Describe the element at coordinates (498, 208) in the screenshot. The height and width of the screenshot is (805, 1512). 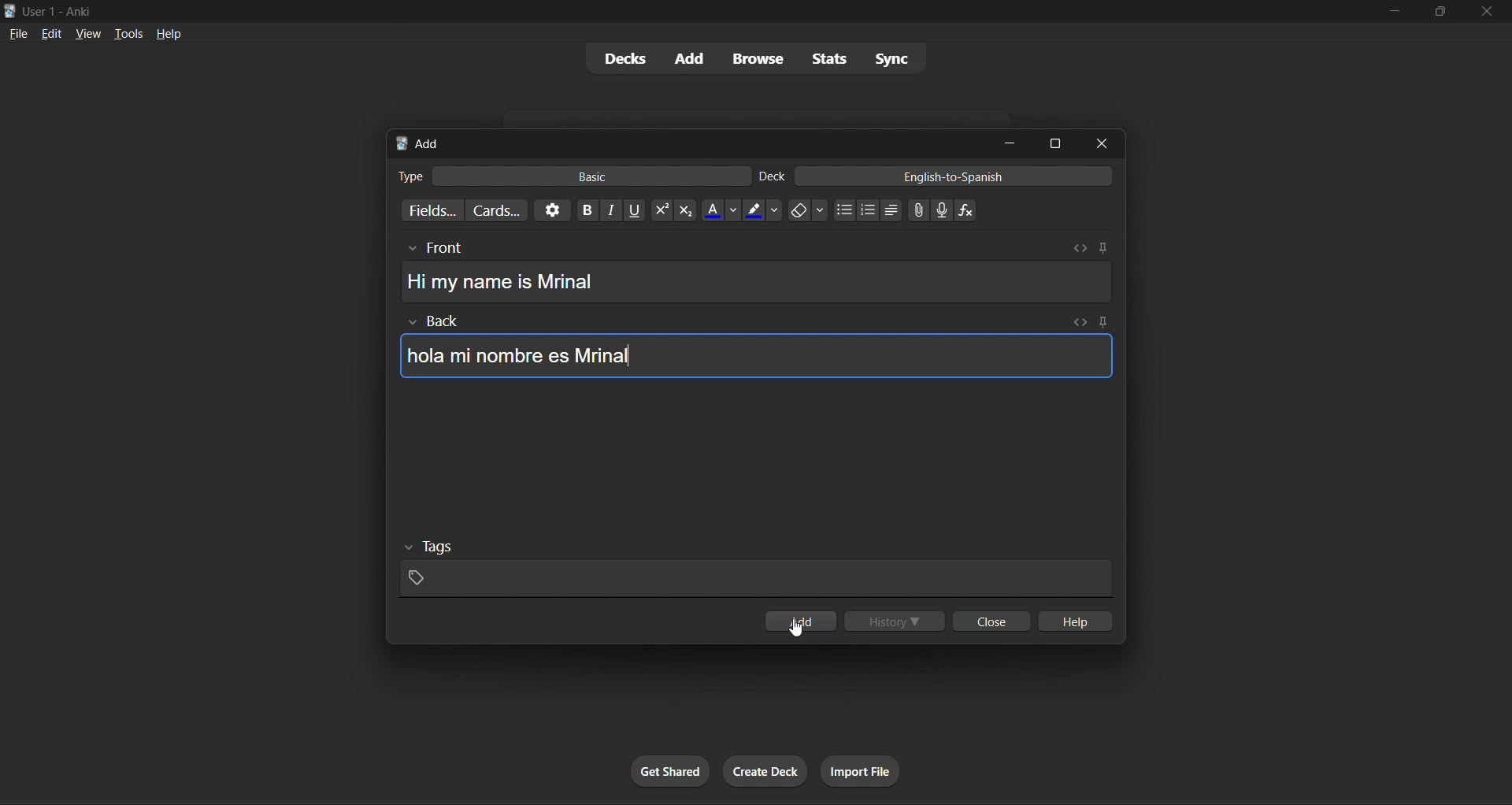
I see `customize card templates` at that location.